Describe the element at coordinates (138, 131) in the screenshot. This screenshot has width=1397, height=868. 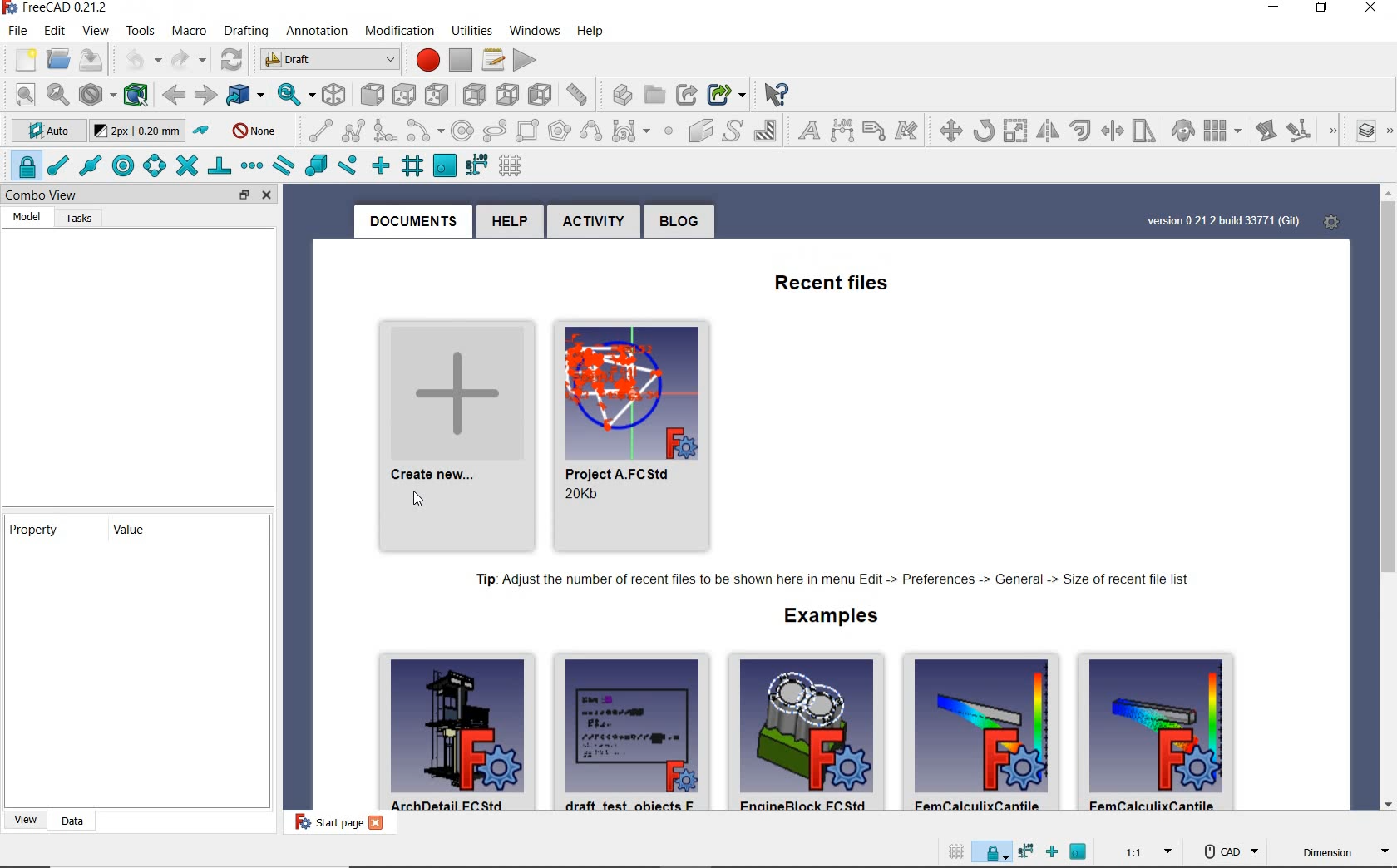
I see `change default style for new objects` at that location.